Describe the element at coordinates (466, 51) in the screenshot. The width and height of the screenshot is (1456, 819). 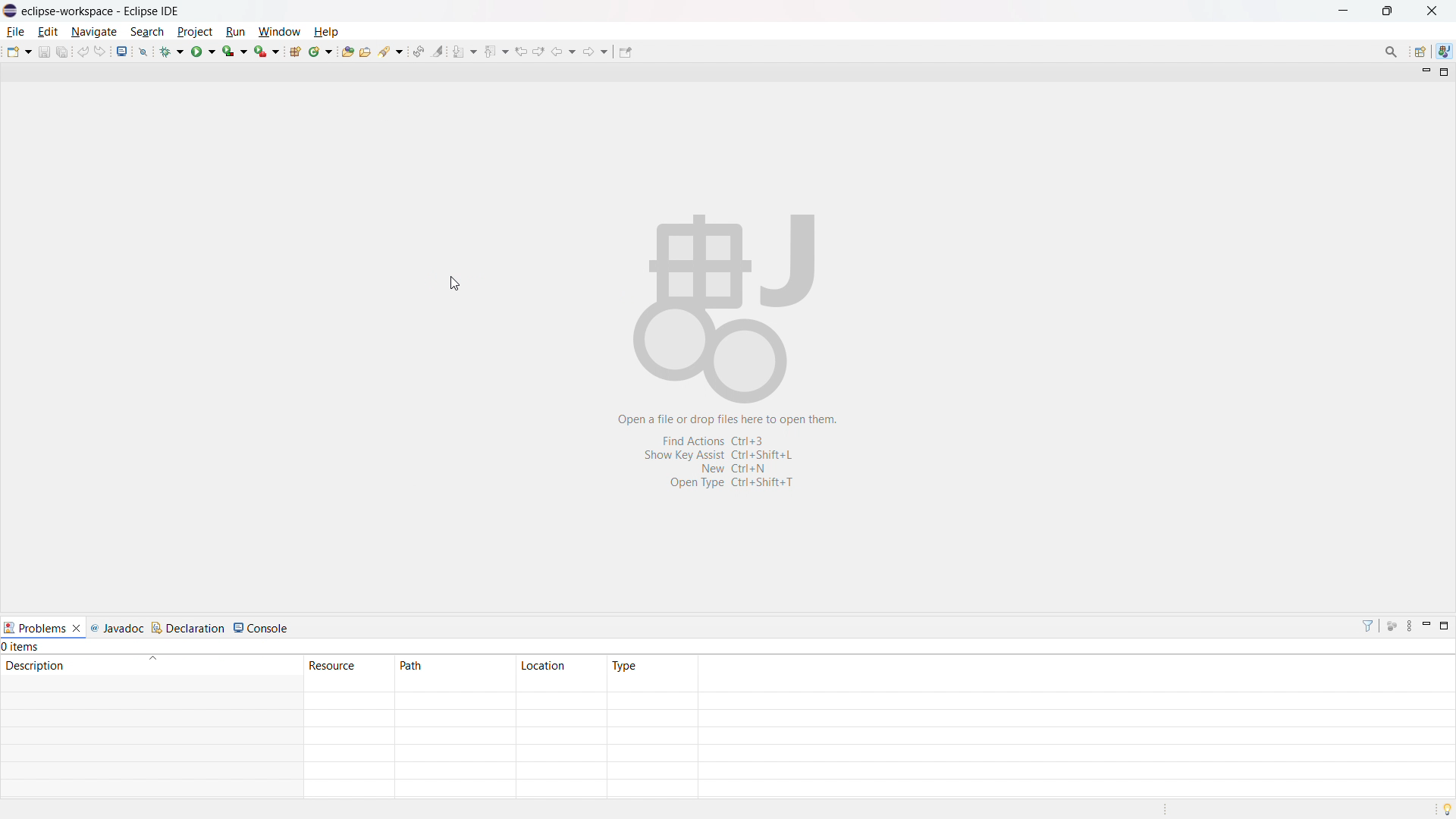
I see `next annotation` at that location.